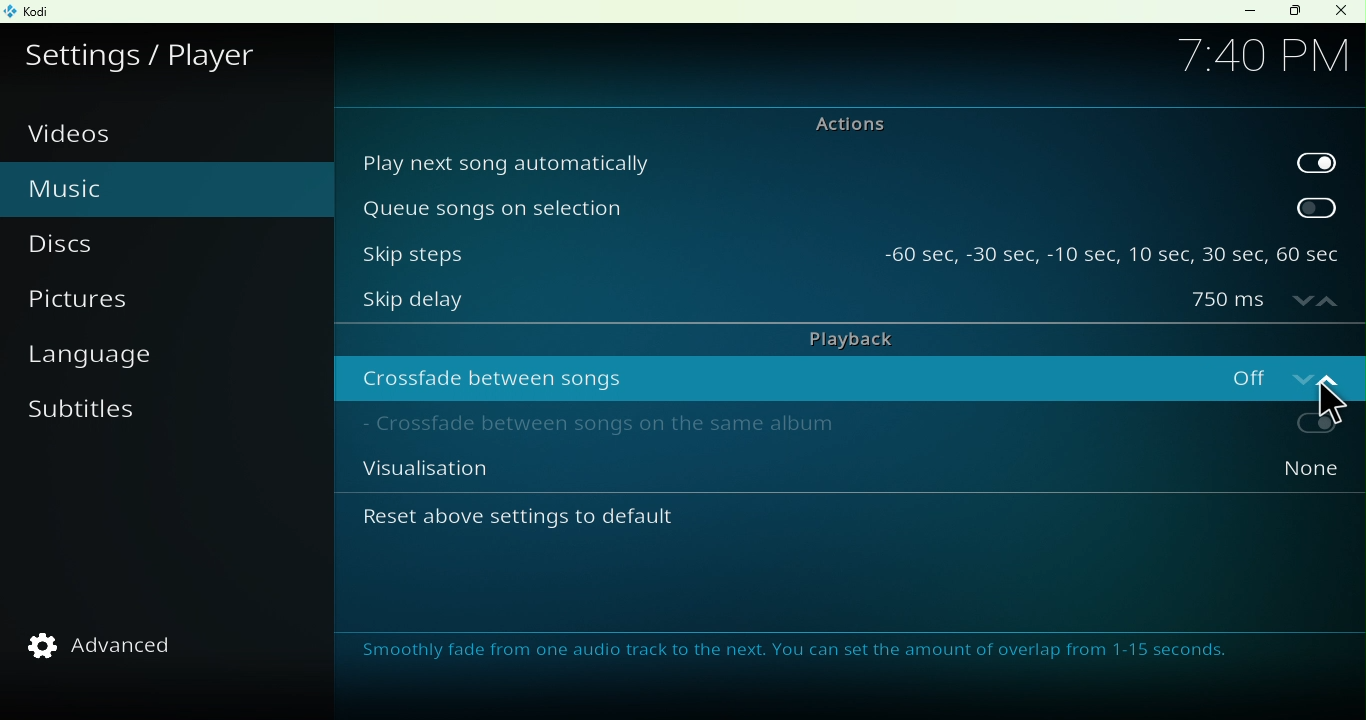  Describe the element at coordinates (761, 428) in the screenshot. I see `Crossfade between songs on the same album` at that location.